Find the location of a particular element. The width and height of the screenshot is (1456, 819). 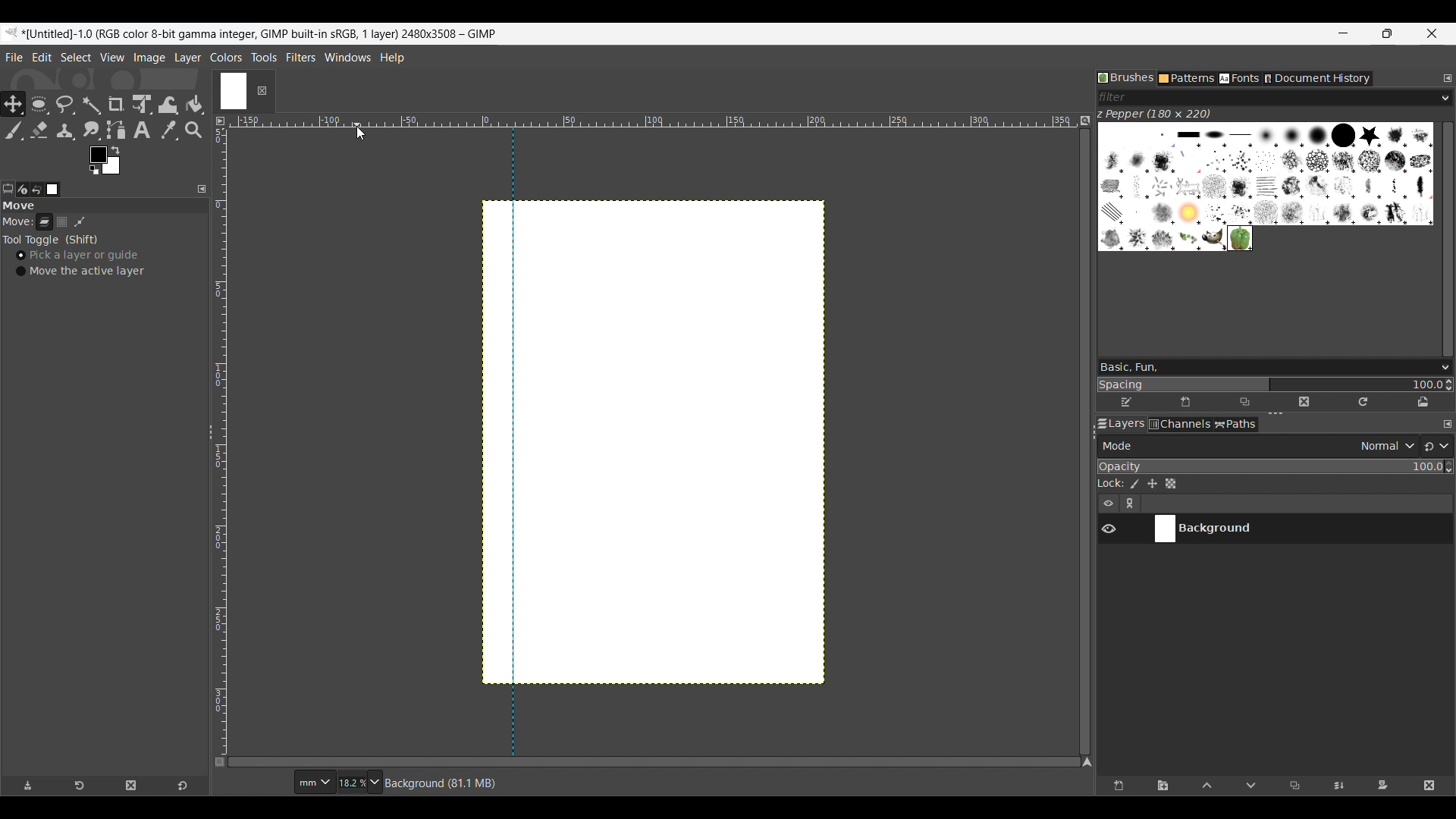

Color picker tool is located at coordinates (169, 130).